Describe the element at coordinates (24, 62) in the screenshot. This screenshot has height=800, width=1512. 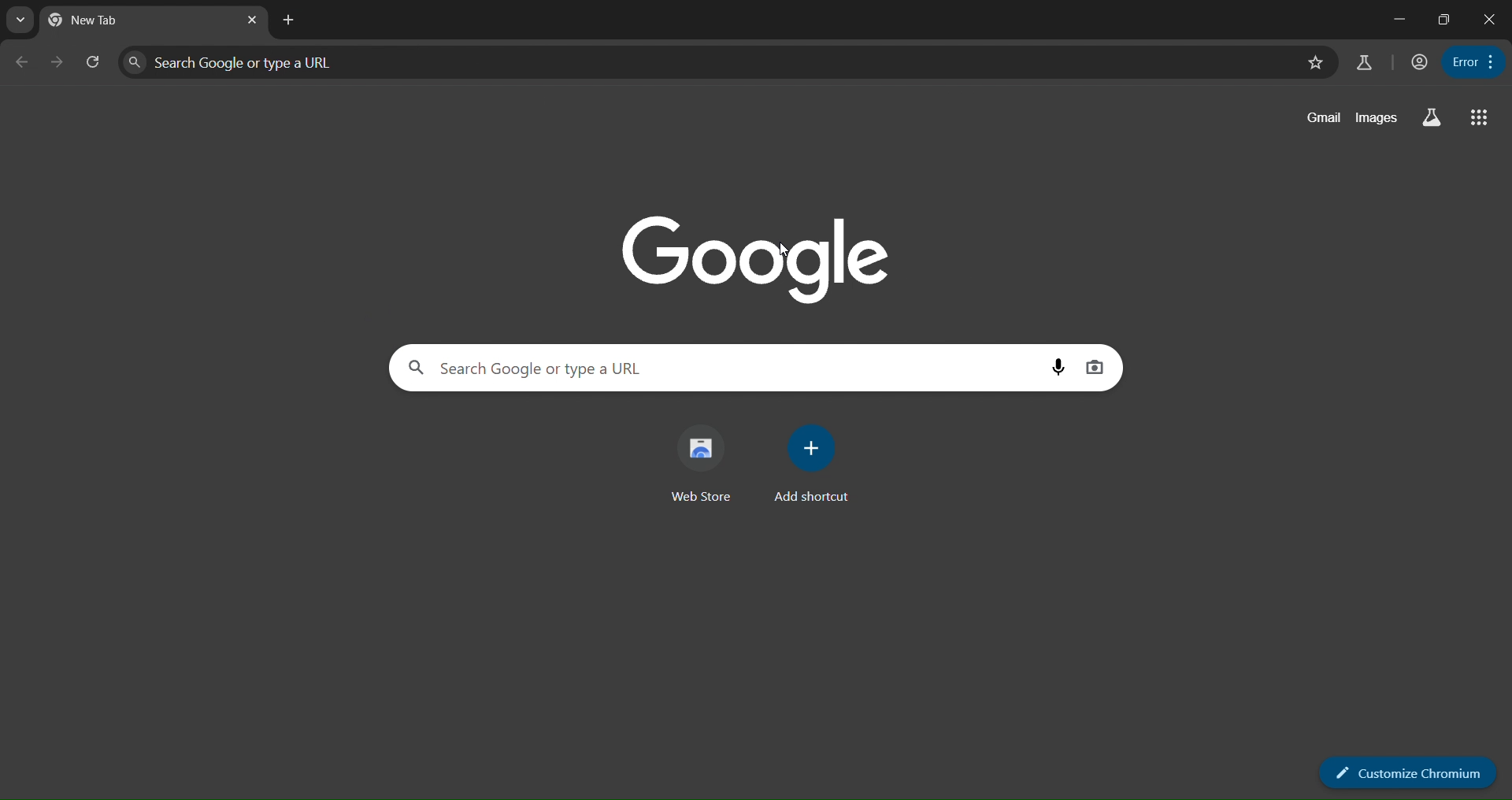
I see `go back one page` at that location.